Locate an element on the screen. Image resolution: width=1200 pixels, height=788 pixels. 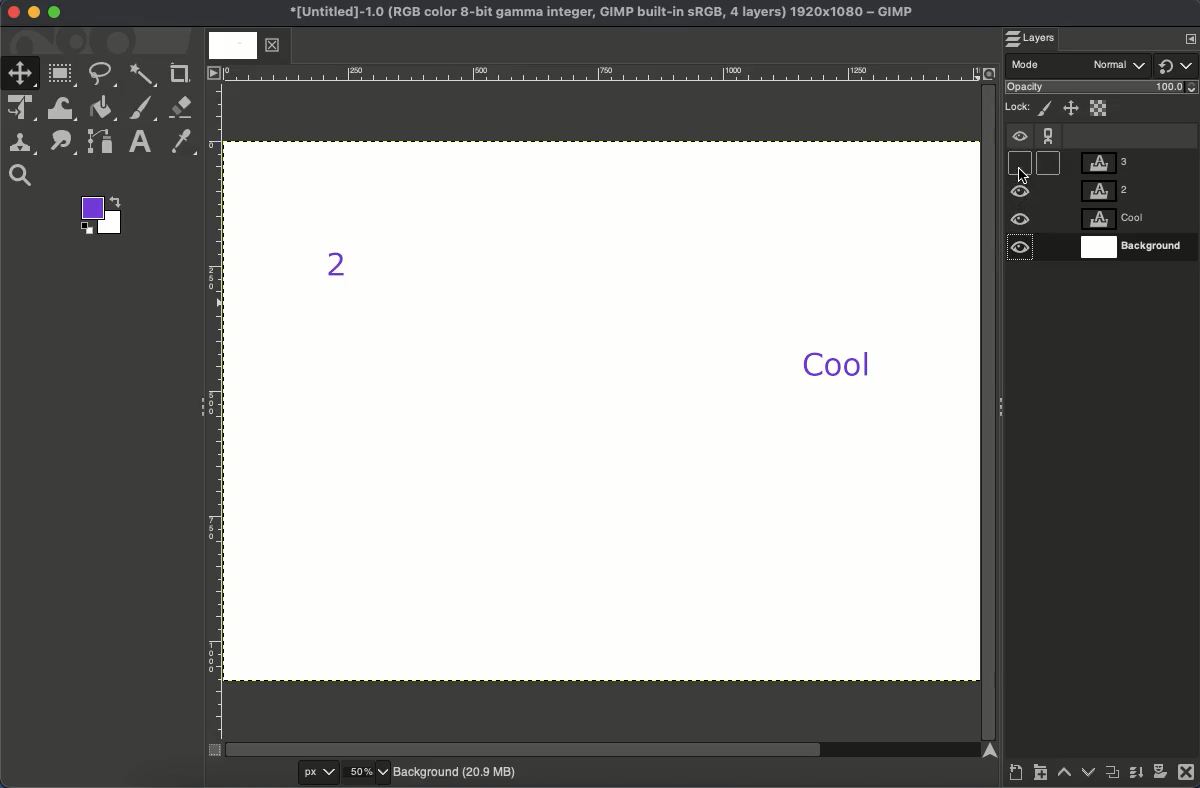
Path is located at coordinates (103, 145).